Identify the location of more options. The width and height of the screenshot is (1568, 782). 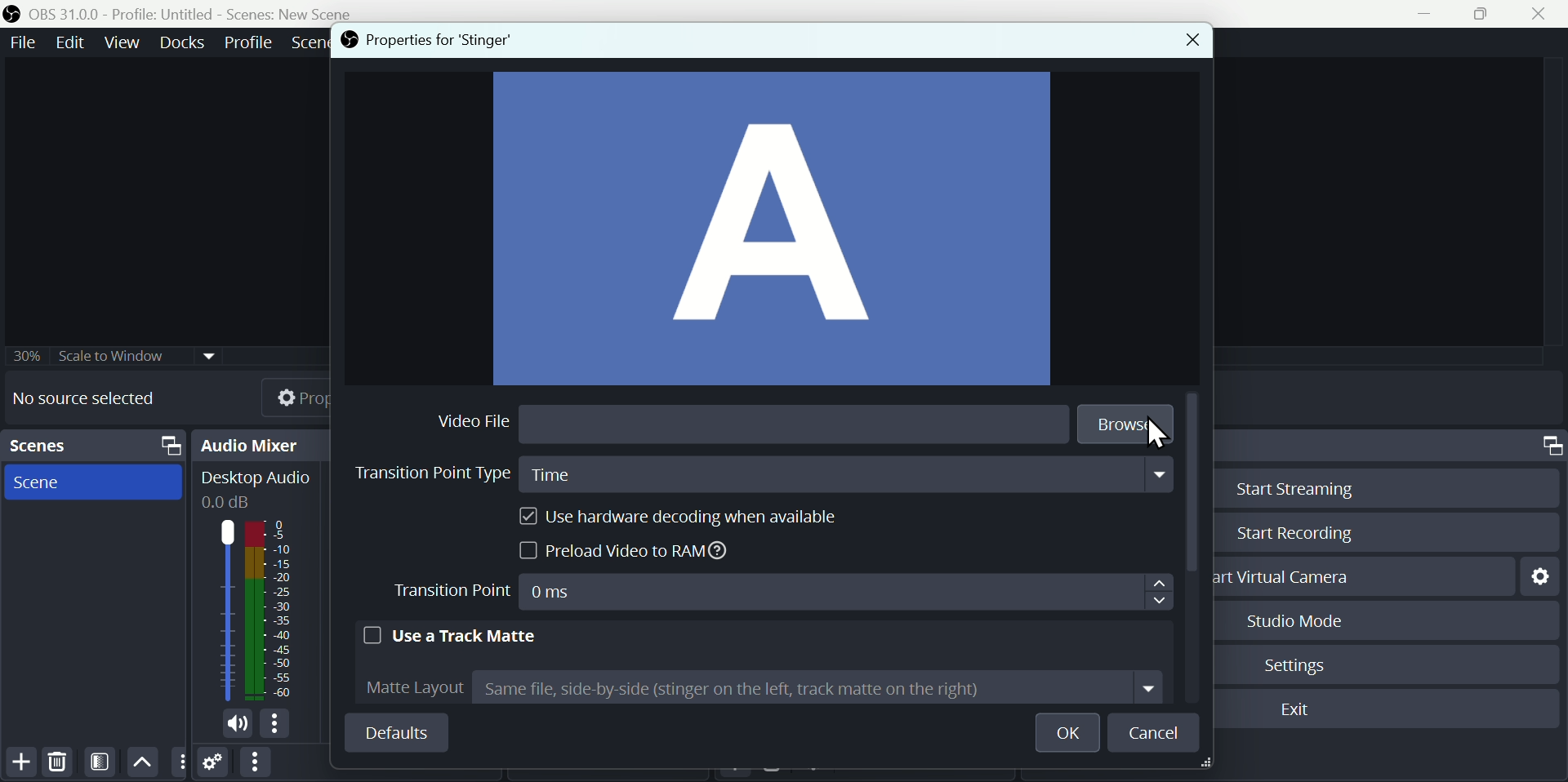
(278, 725).